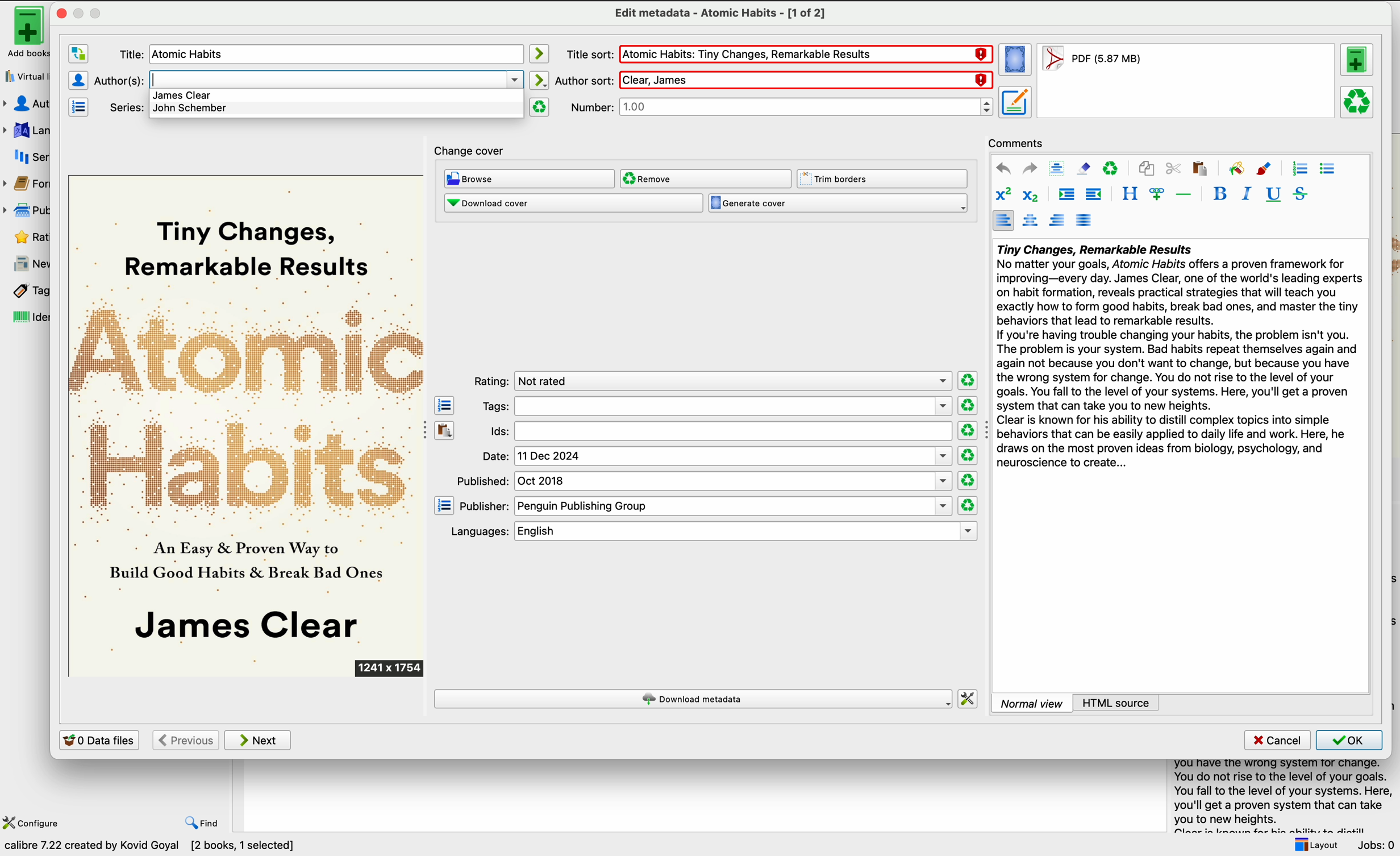 The height and width of the screenshot is (856, 1400). I want to click on comments, so click(1016, 142).